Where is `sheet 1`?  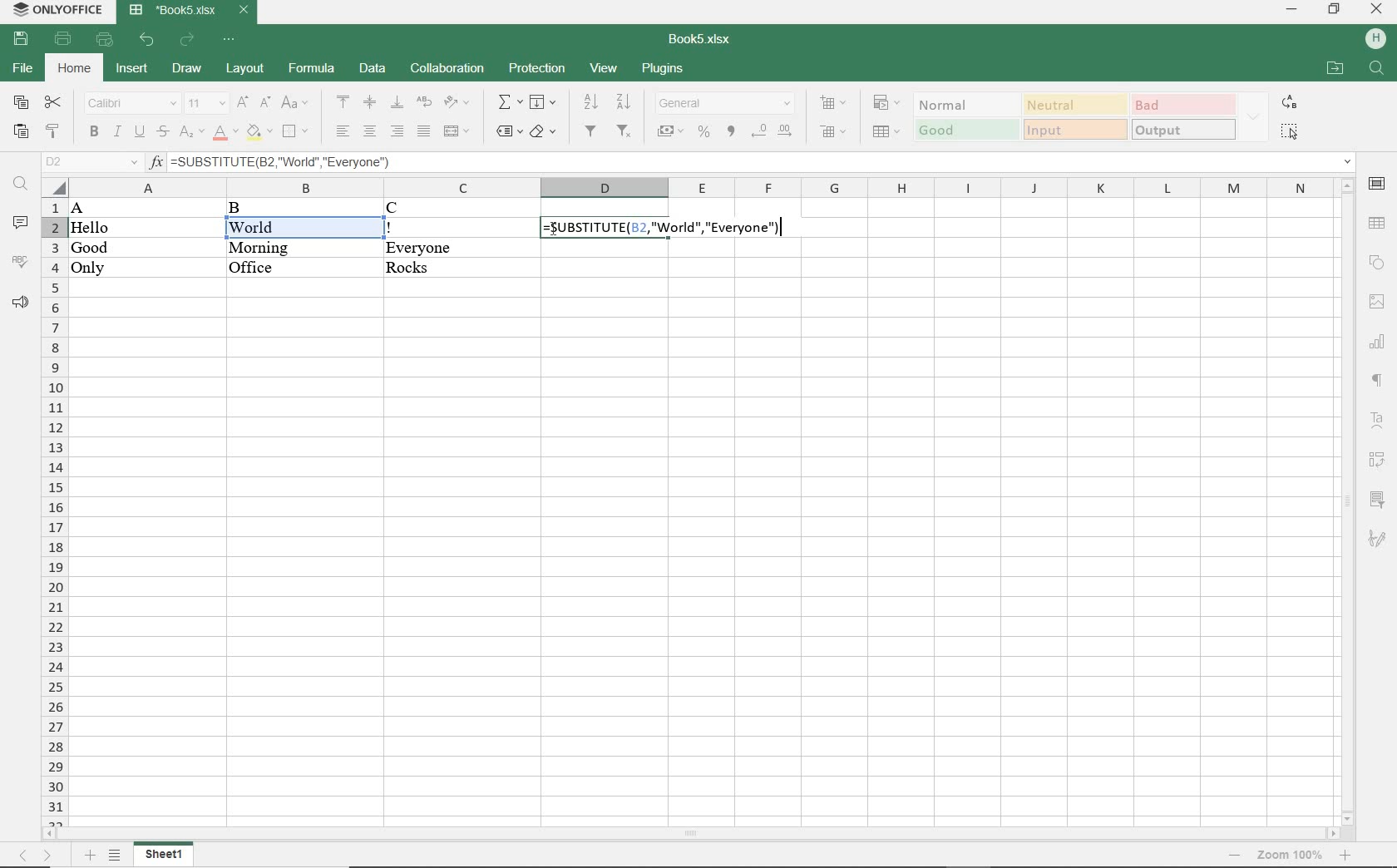 sheet 1 is located at coordinates (161, 854).